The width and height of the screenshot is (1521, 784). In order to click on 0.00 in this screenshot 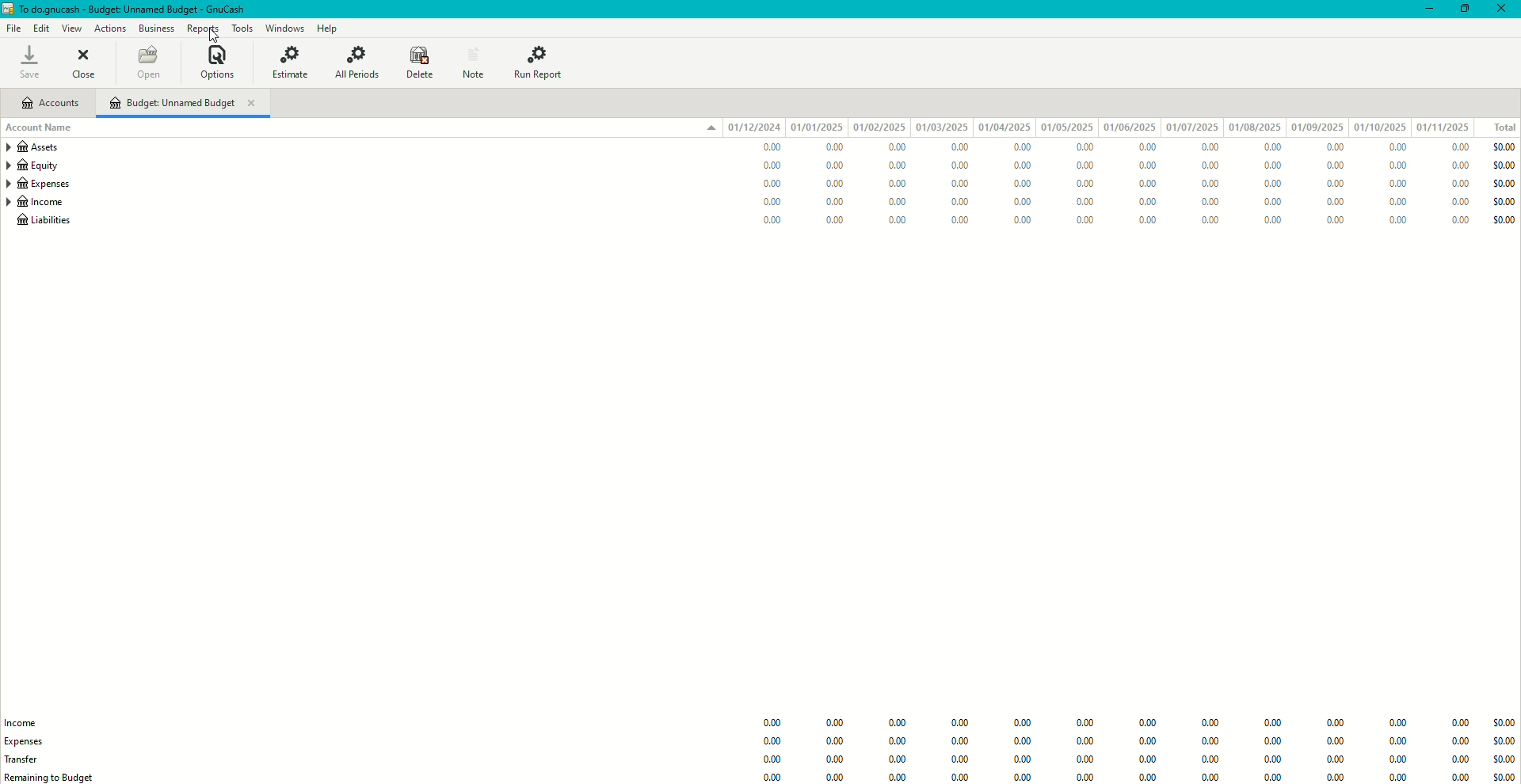, I will do `click(1274, 221)`.